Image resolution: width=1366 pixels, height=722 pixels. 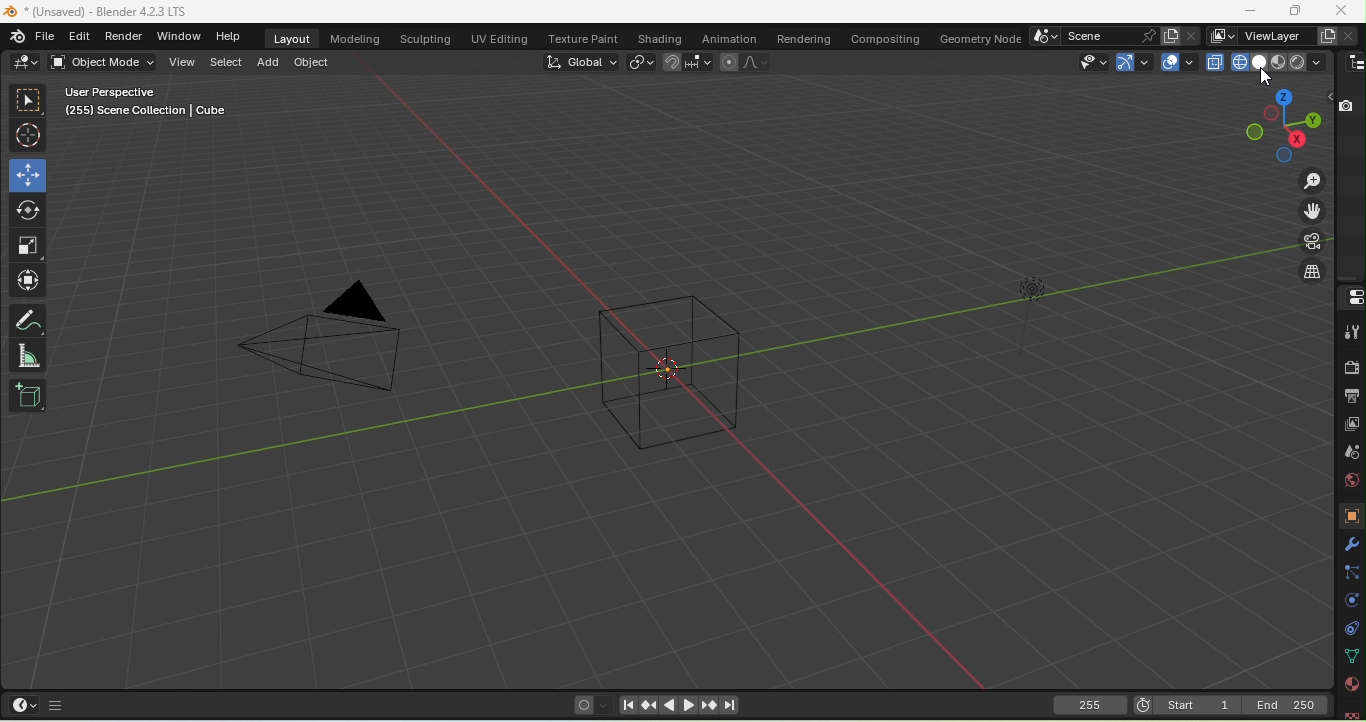 What do you see at coordinates (1283, 98) in the screenshot?
I see `Rotate the view` at bounding box center [1283, 98].